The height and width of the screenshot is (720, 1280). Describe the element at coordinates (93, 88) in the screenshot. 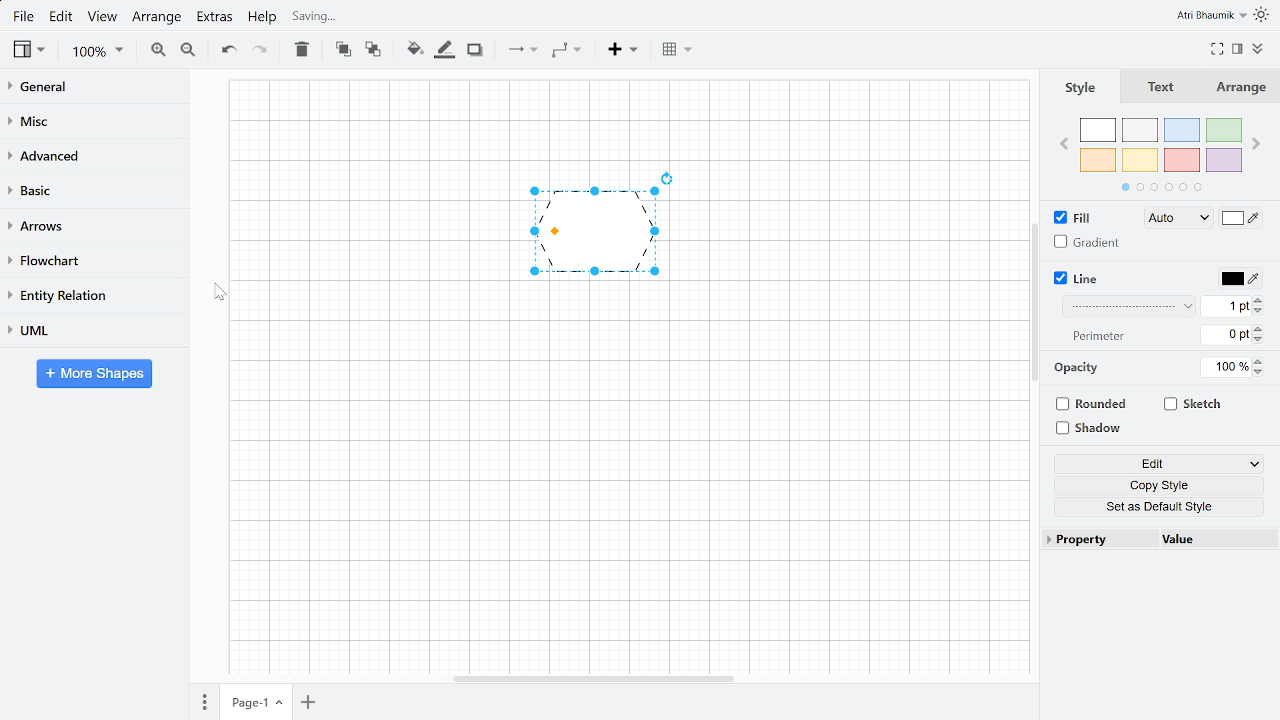

I see `General` at that location.